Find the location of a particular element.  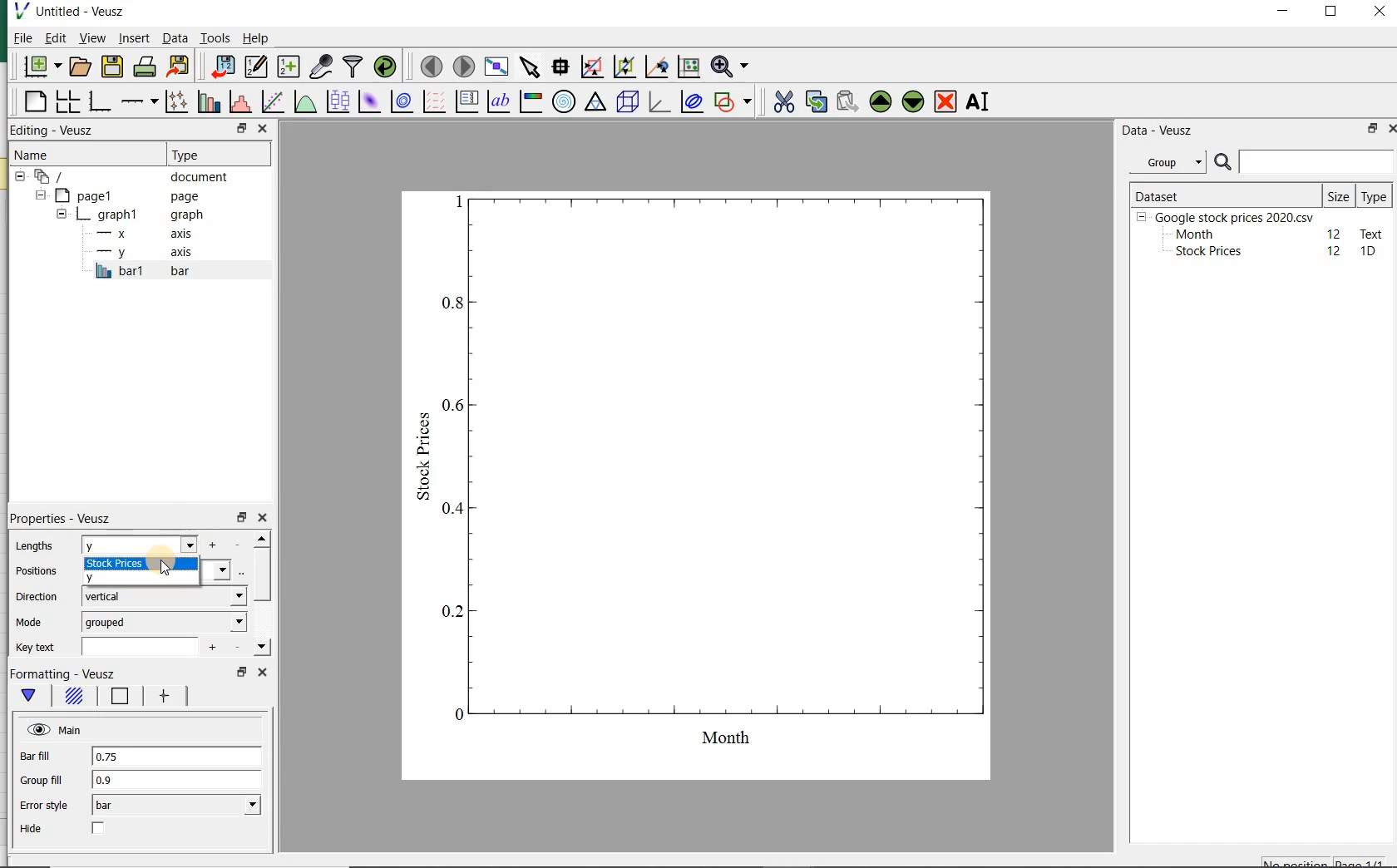

move the selected widget up is located at coordinates (881, 101).